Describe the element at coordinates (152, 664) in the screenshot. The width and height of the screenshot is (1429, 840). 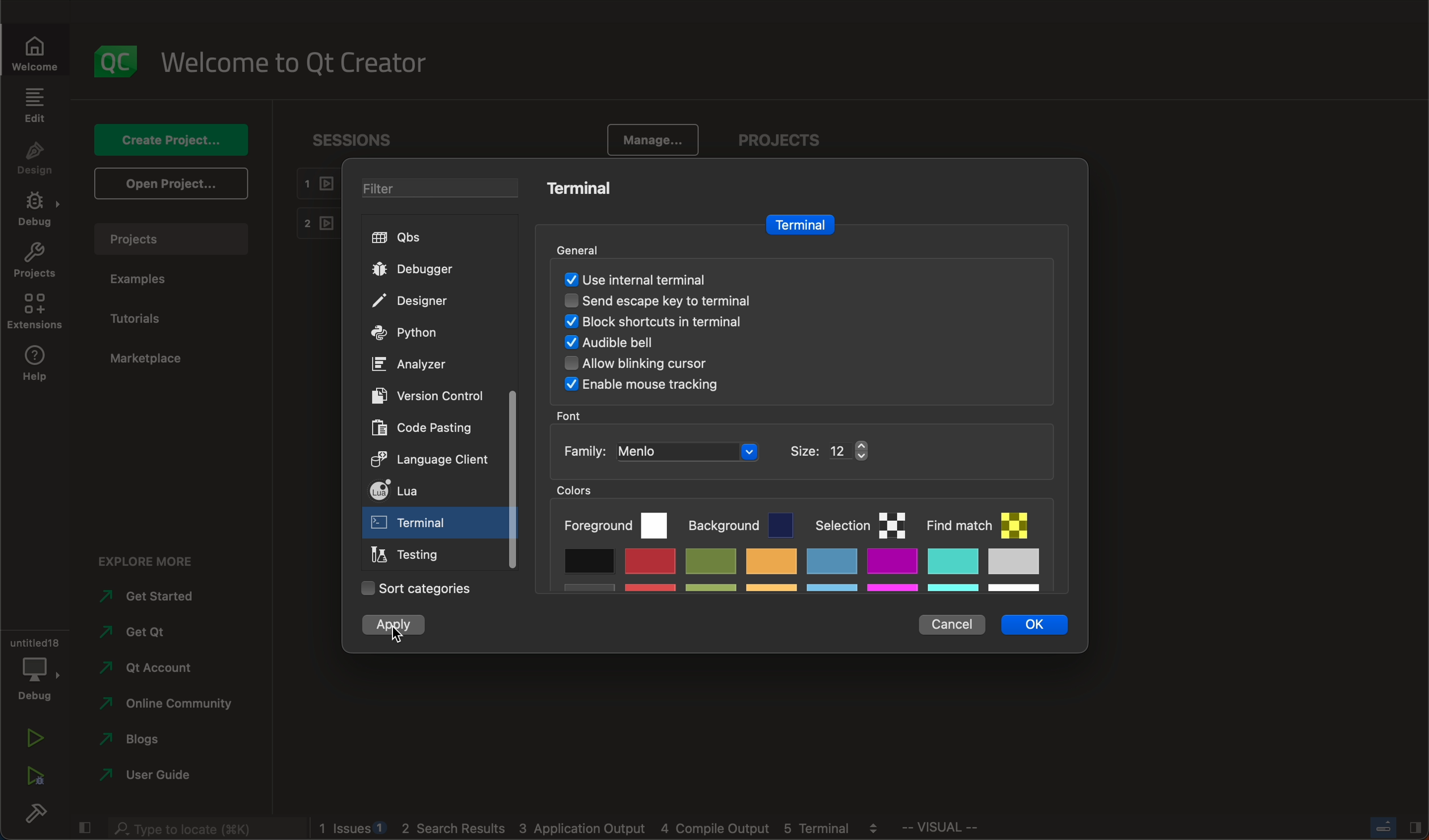
I see `account` at that location.